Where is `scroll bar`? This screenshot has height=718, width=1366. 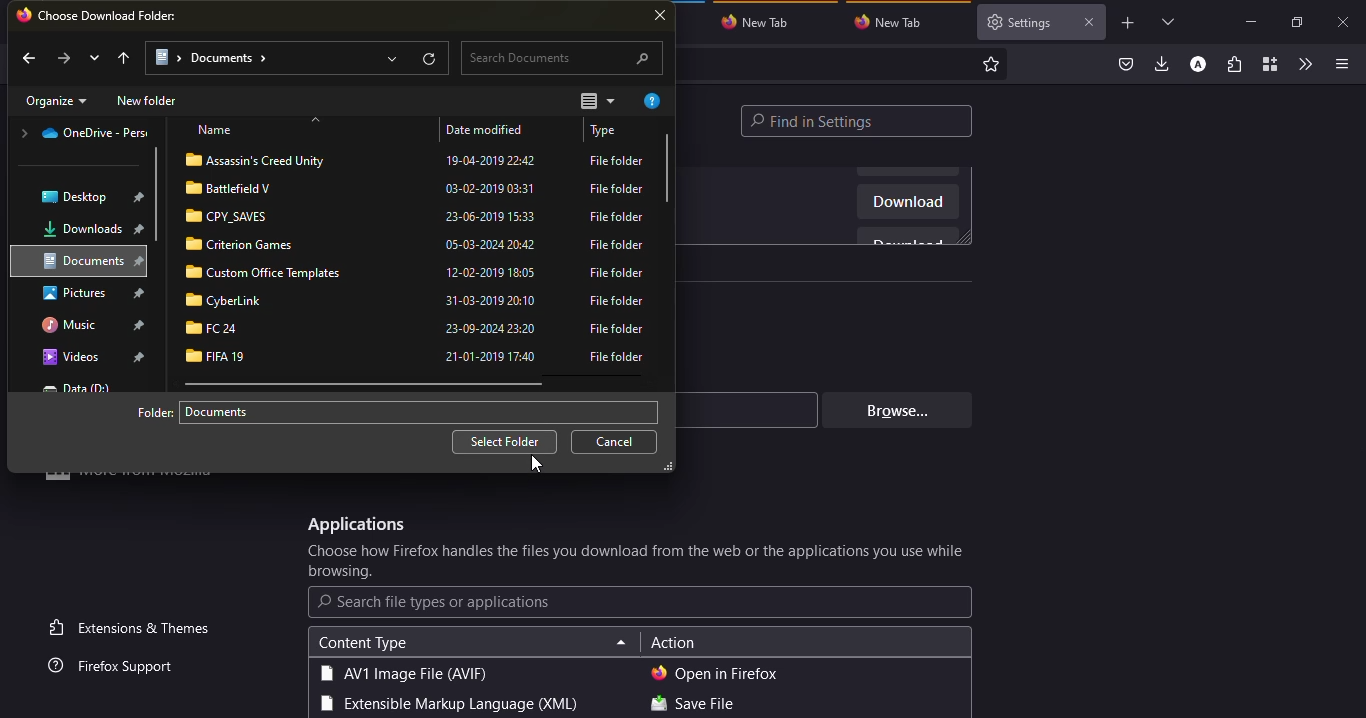
scroll bar is located at coordinates (158, 199).